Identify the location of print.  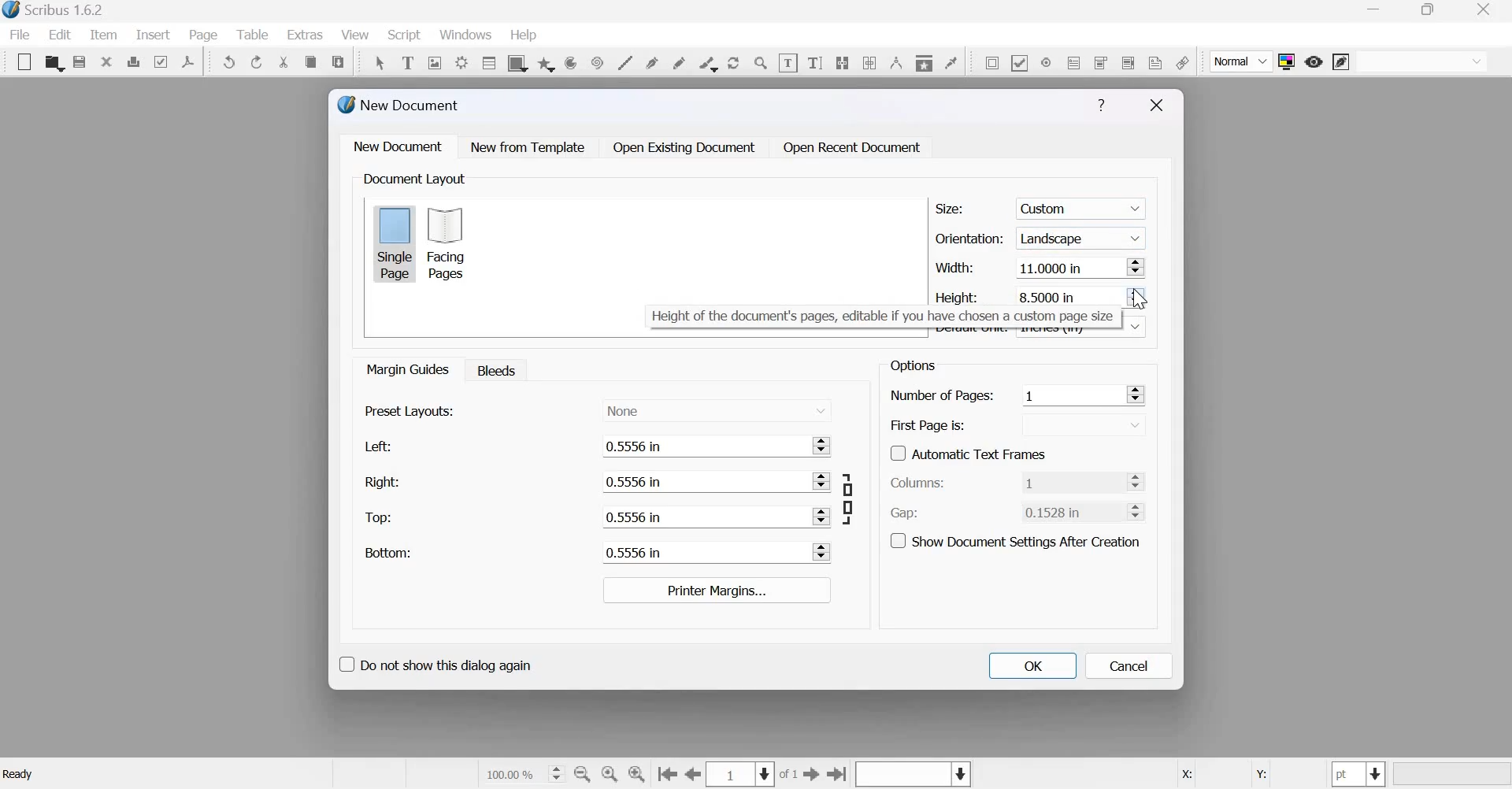
(133, 61).